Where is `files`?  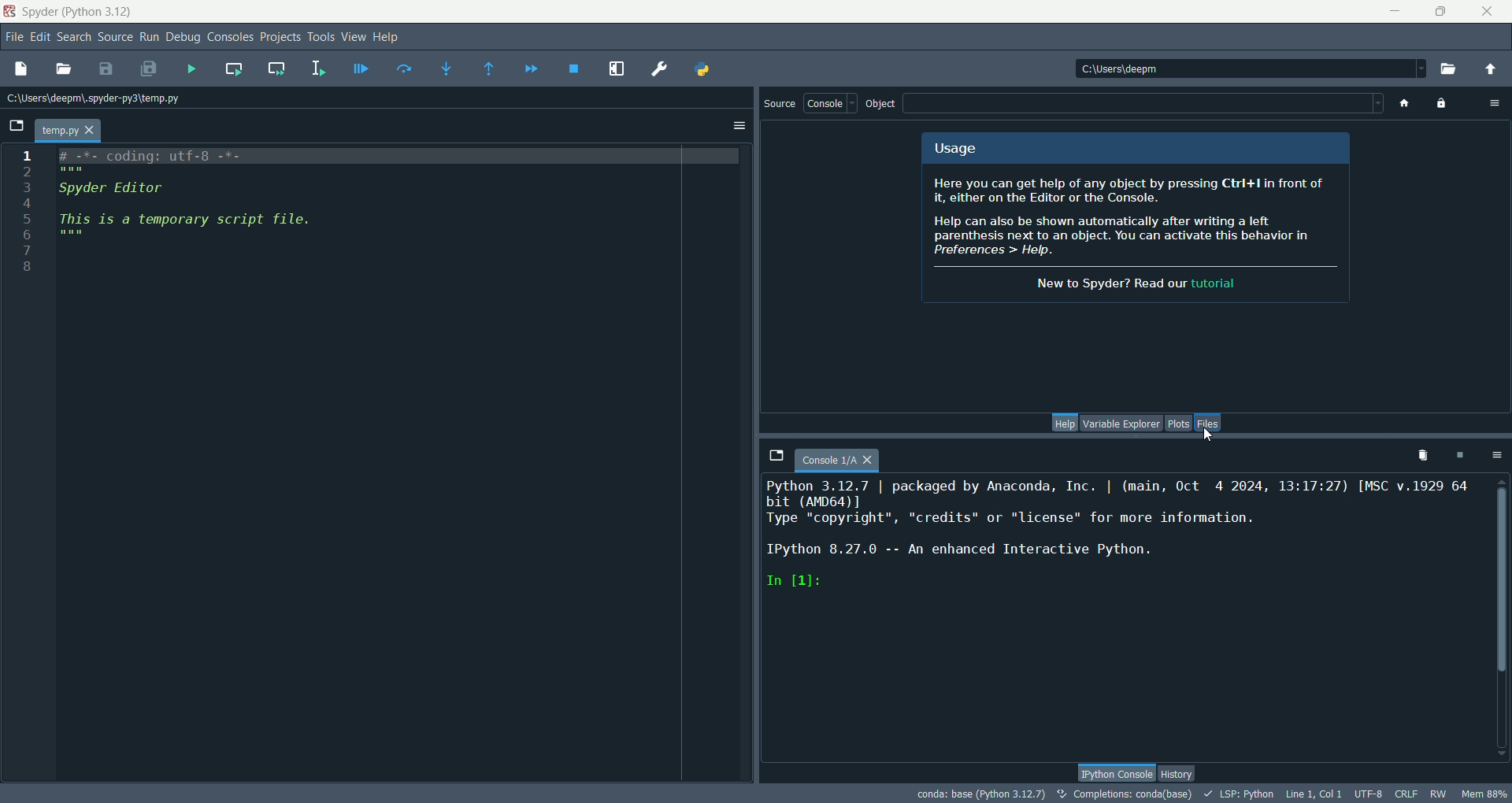
files is located at coordinates (1208, 424).